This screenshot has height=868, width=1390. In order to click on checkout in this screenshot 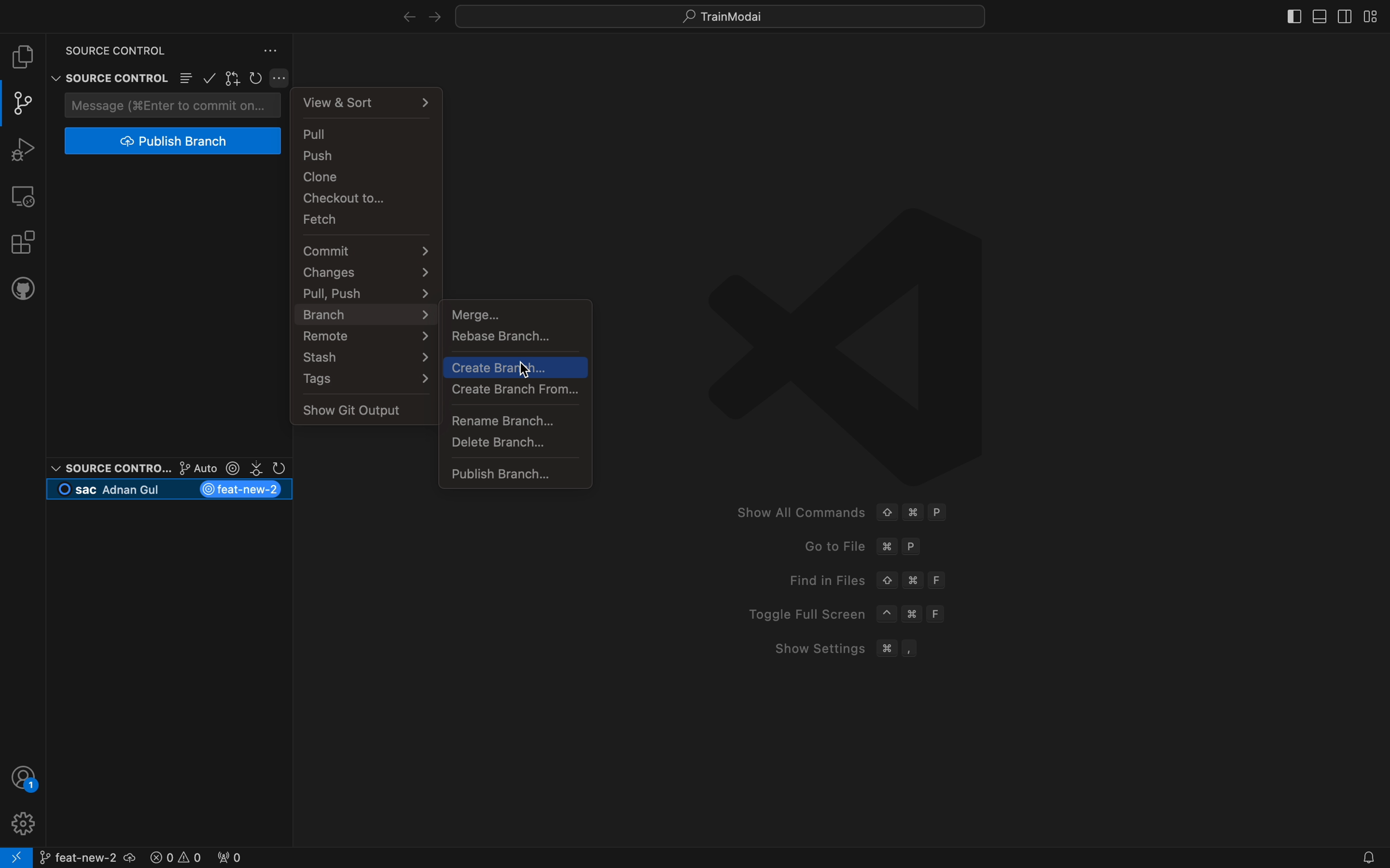, I will do `click(366, 199)`.